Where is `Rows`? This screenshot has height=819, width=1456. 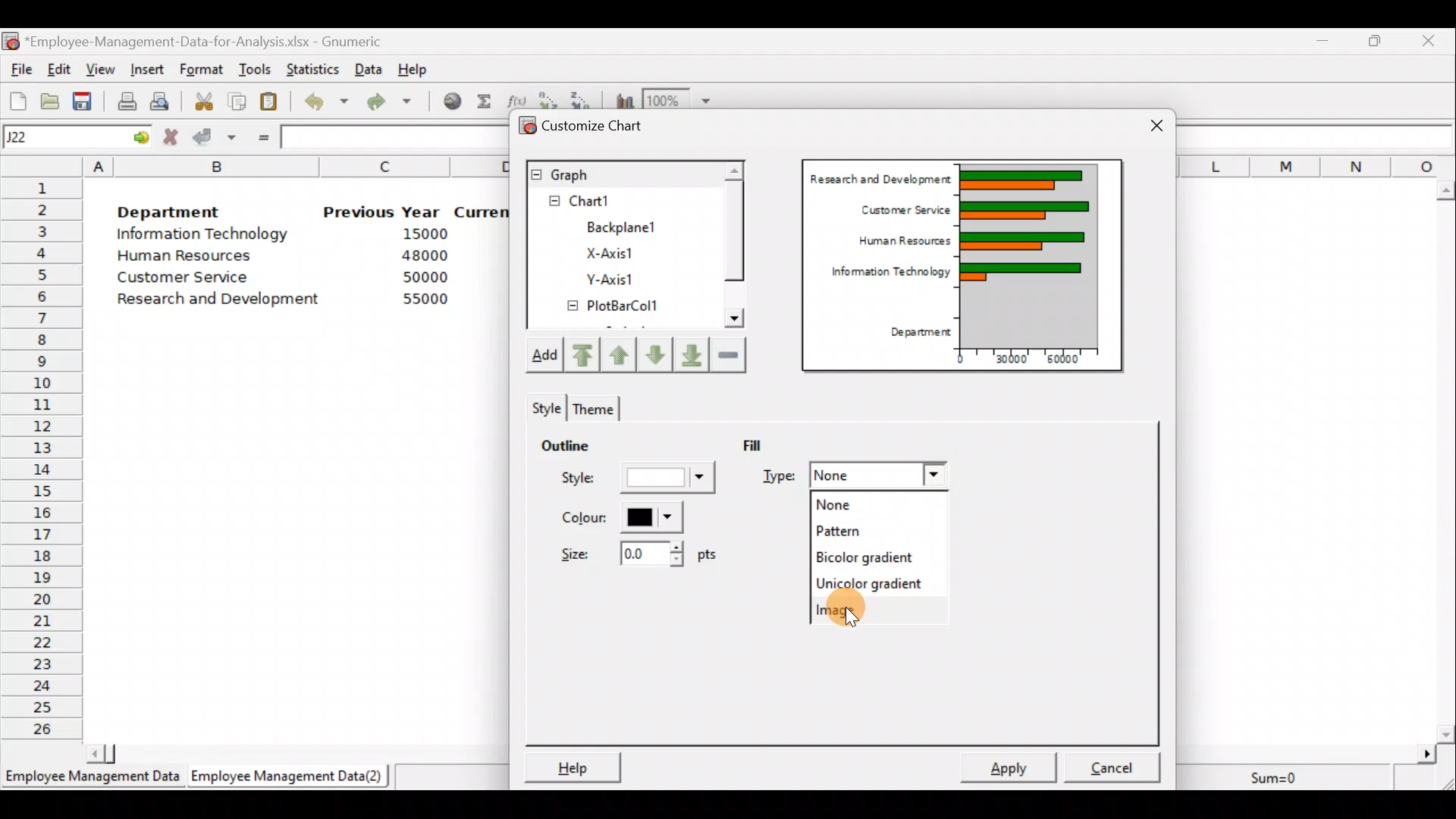
Rows is located at coordinates (42, 460).